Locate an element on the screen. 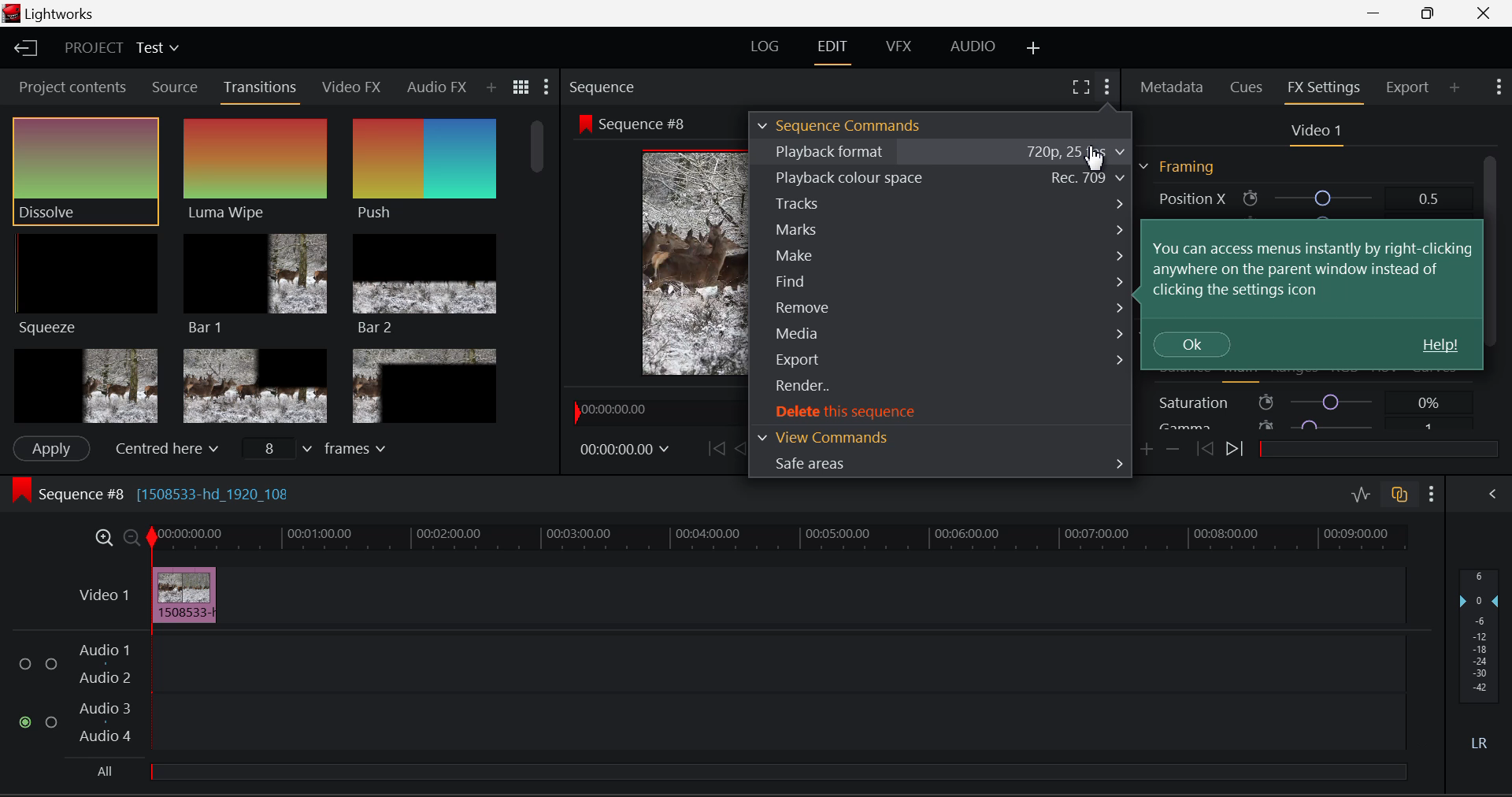 The height and width of the screenshot is (797, 1512). Transitions Panel Open is located at coordinates (263, 88).